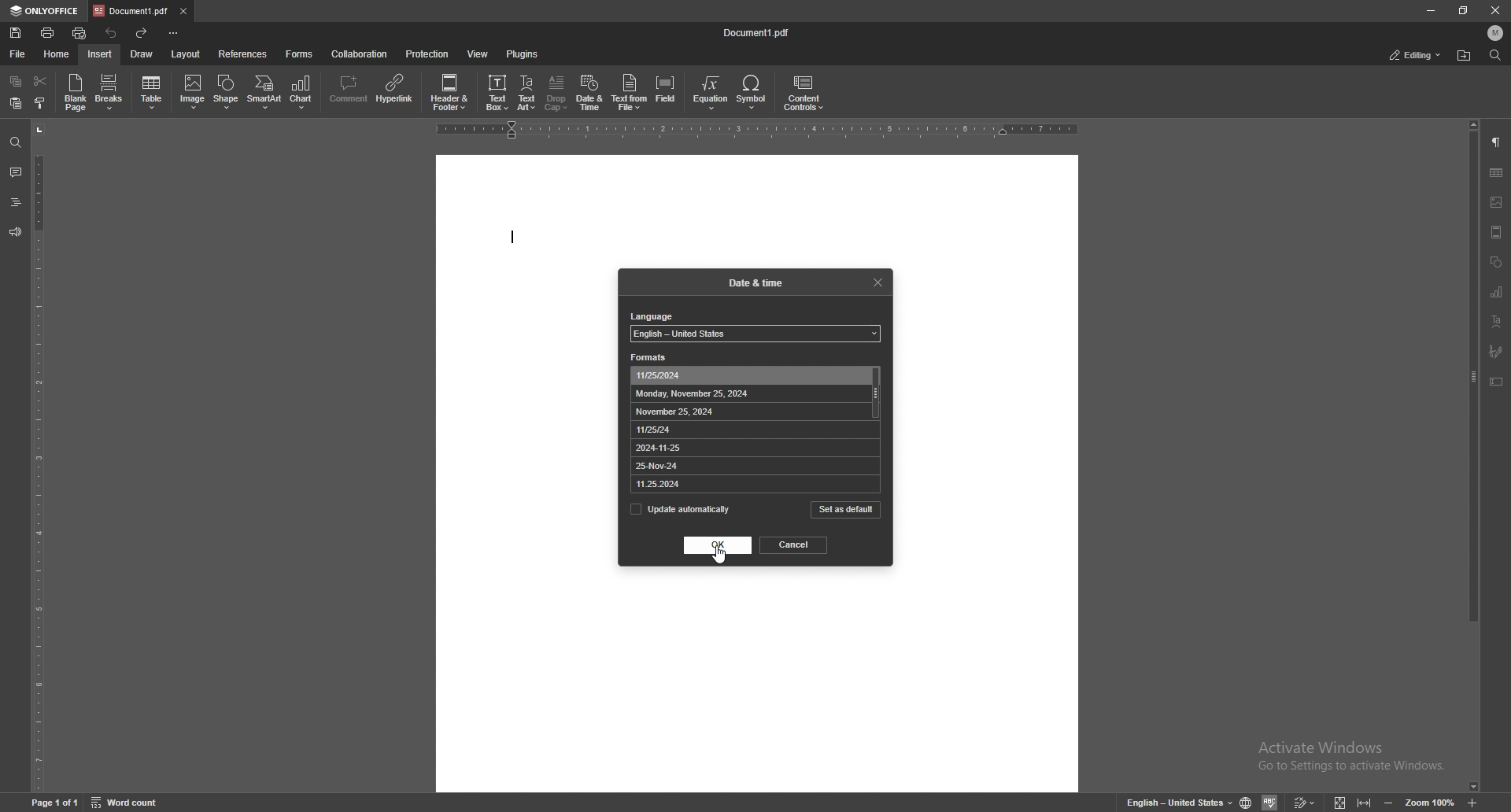 The image size is (1511, 812). Describe the element at coordinates (15, 203) in the screenshot. I see `heading` at that location.